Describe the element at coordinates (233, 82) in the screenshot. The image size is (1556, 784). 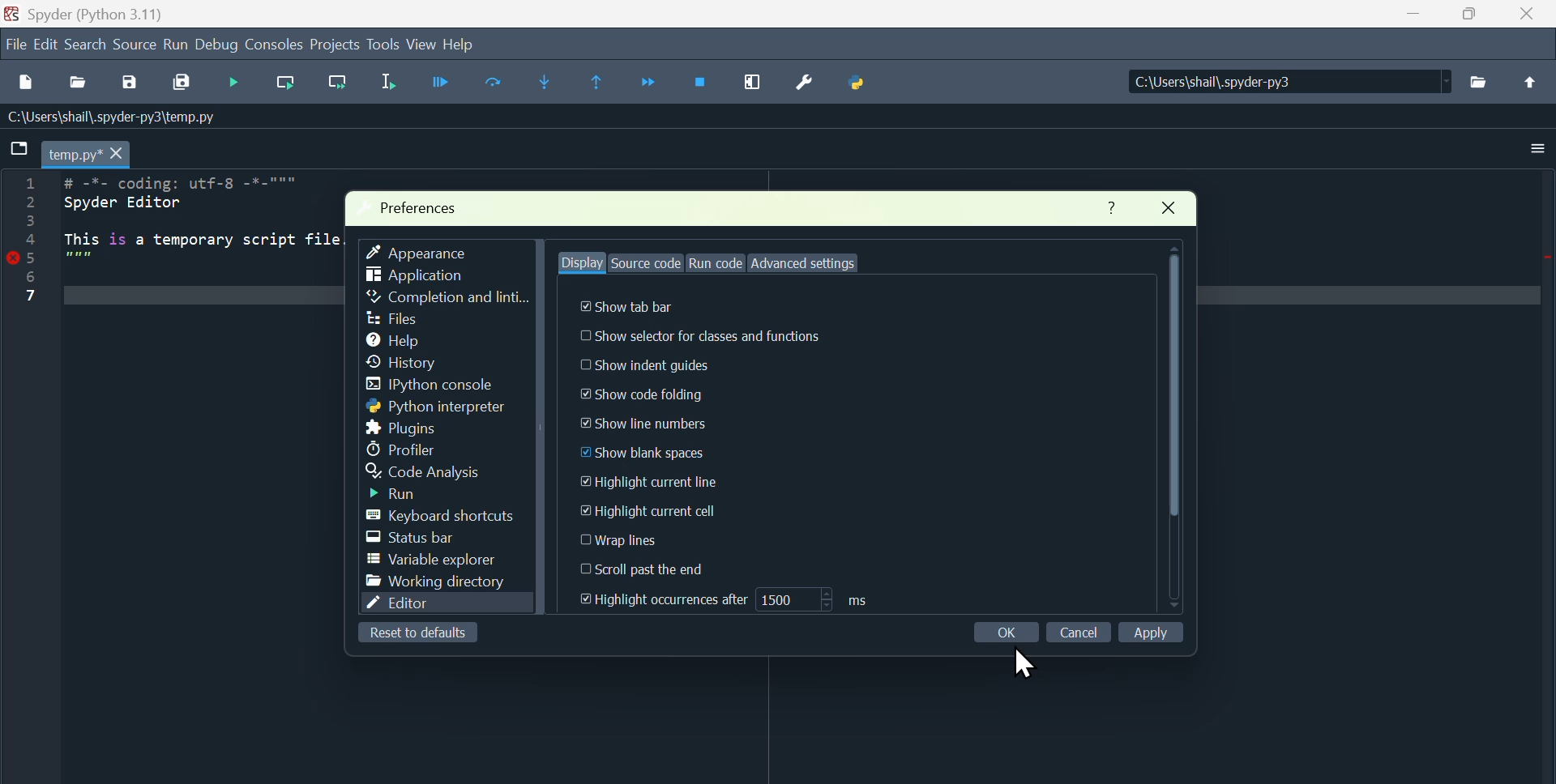
I see `Debug file` at that location.